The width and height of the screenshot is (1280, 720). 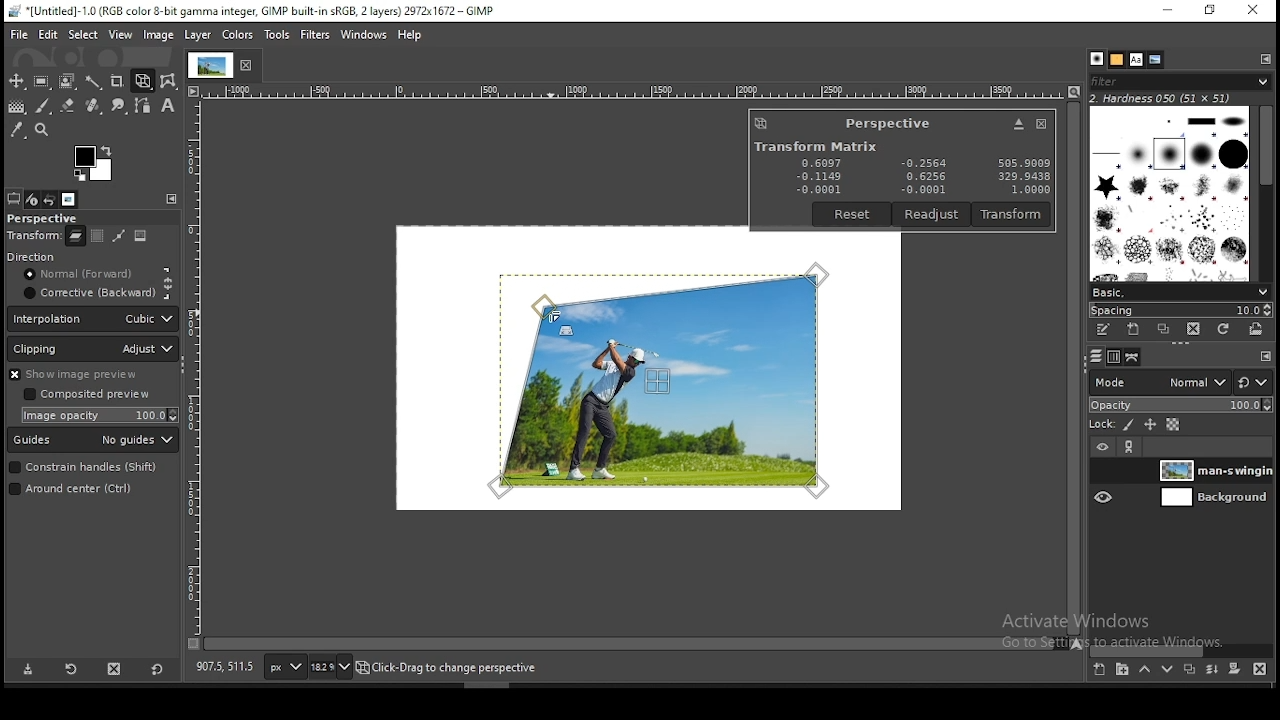 I want to click on horizontal scale , so click(x=633, y=89).